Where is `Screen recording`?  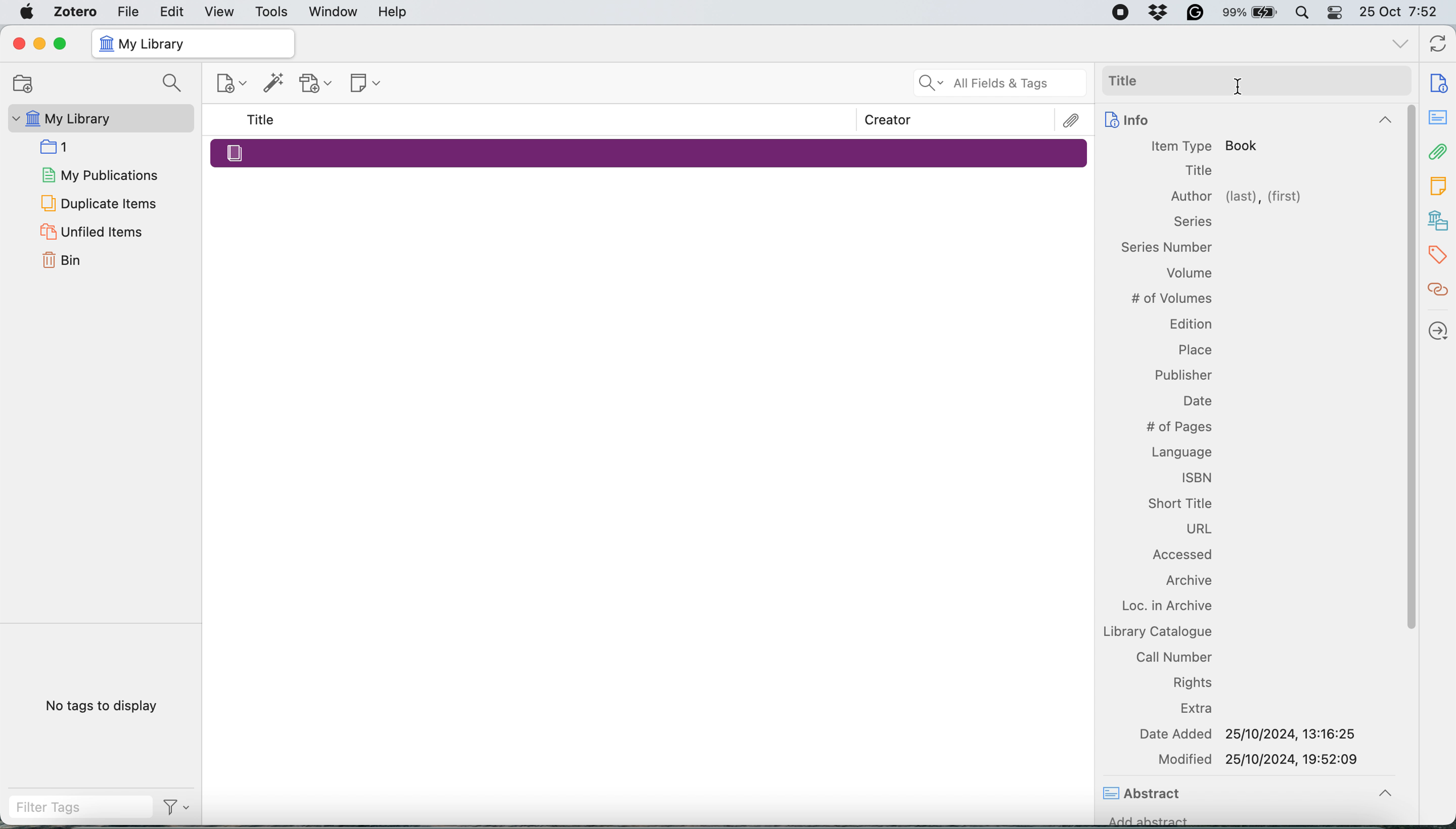
Screen recording is located at coordinates (1119, 13).